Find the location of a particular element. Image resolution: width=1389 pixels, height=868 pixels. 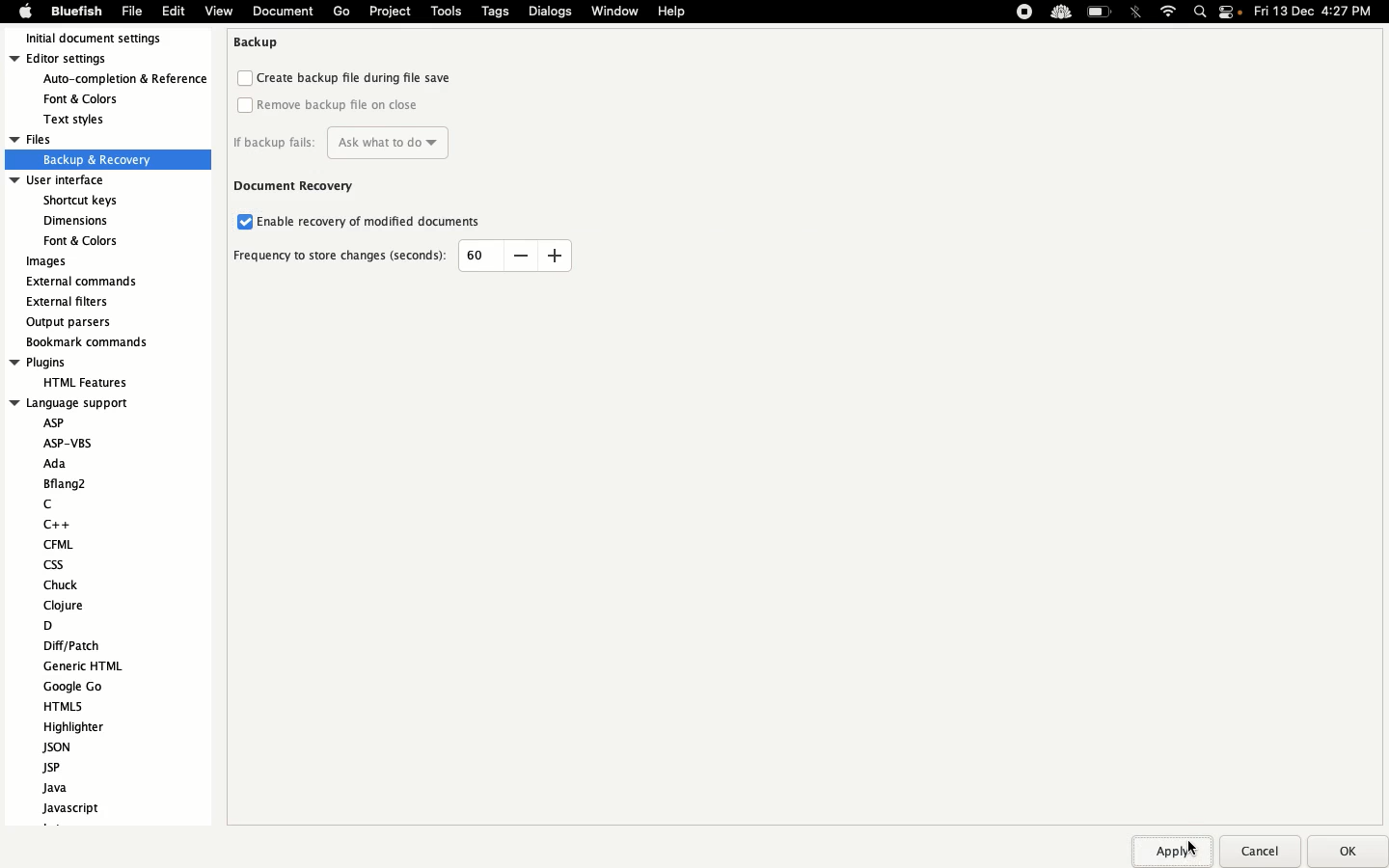

Initial document settings is located at coordinates (102, 39).